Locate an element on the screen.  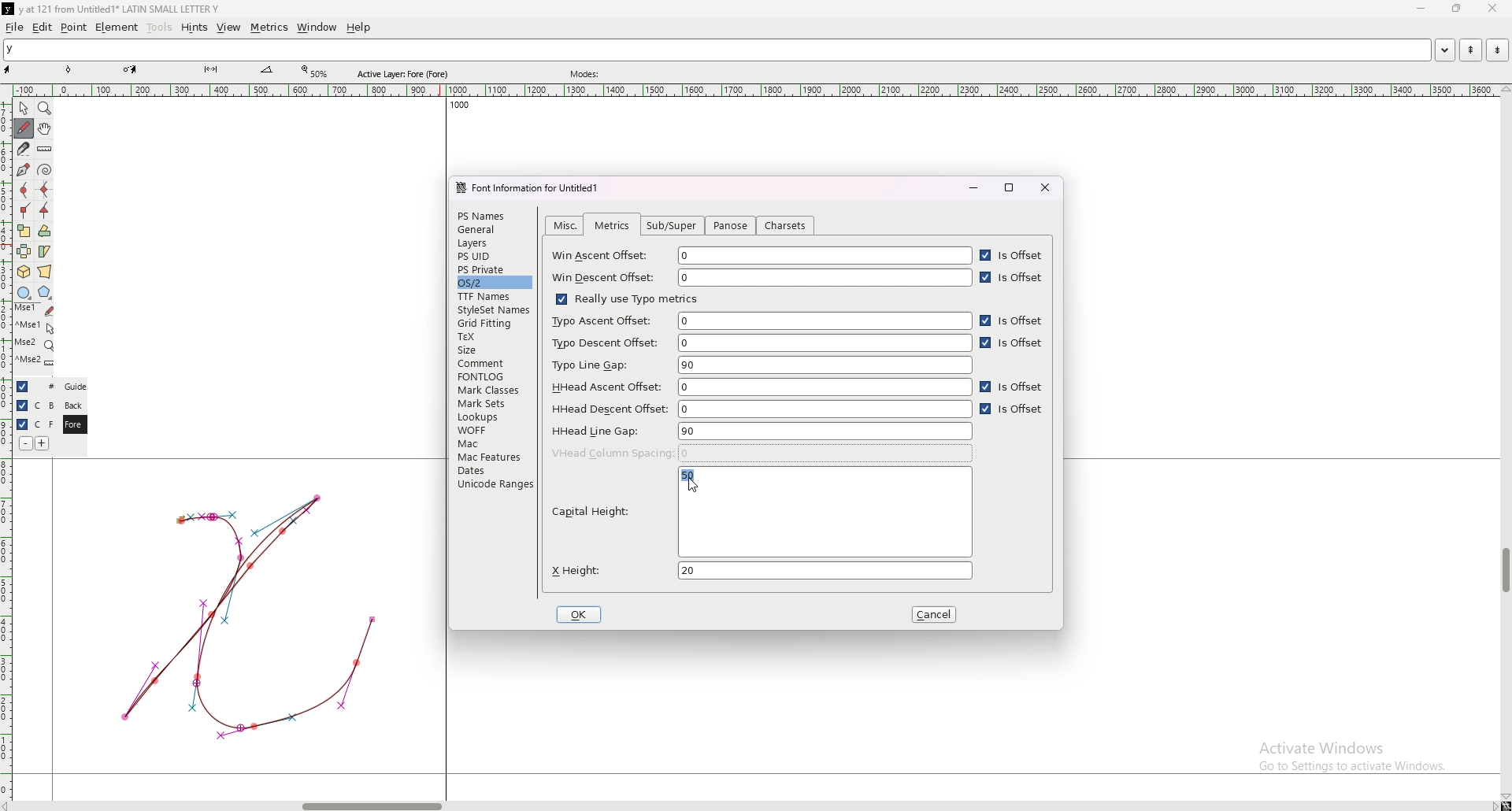
mse 1 is located at coordinates (35, 326).